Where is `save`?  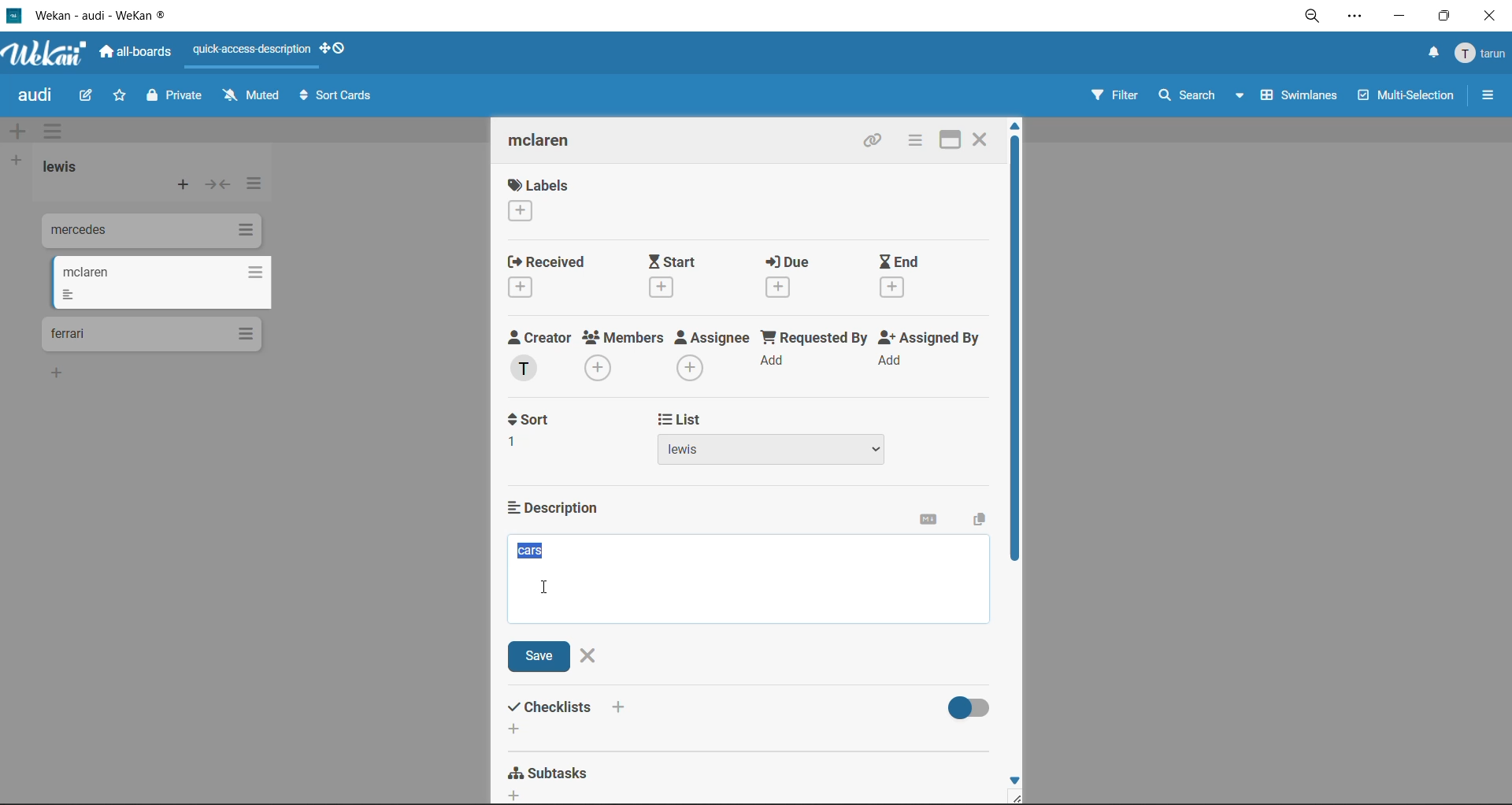
save is located at coordinates (542, 657).